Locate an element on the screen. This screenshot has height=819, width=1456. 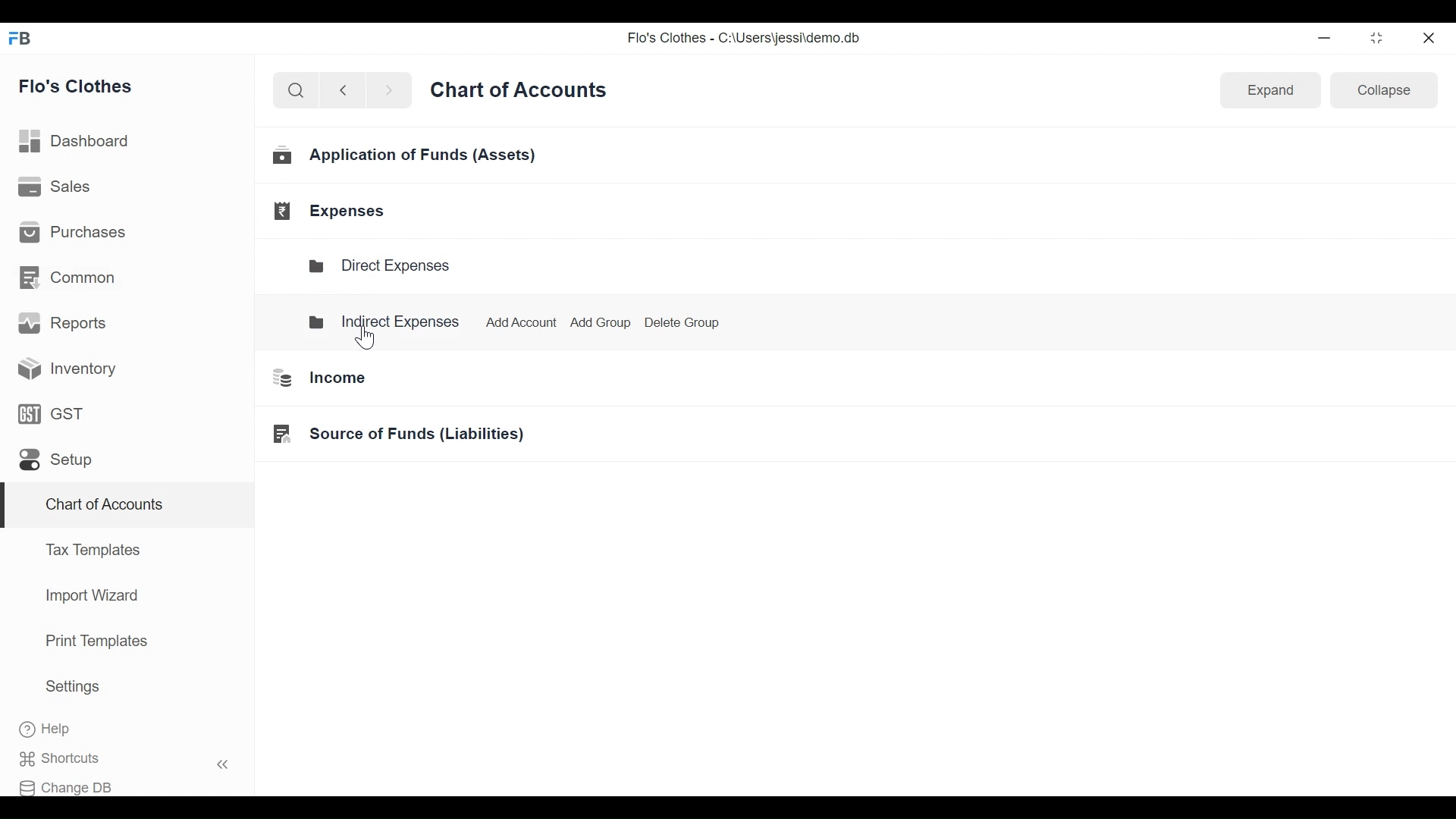
Expand is located at coordinates (1271, 91).